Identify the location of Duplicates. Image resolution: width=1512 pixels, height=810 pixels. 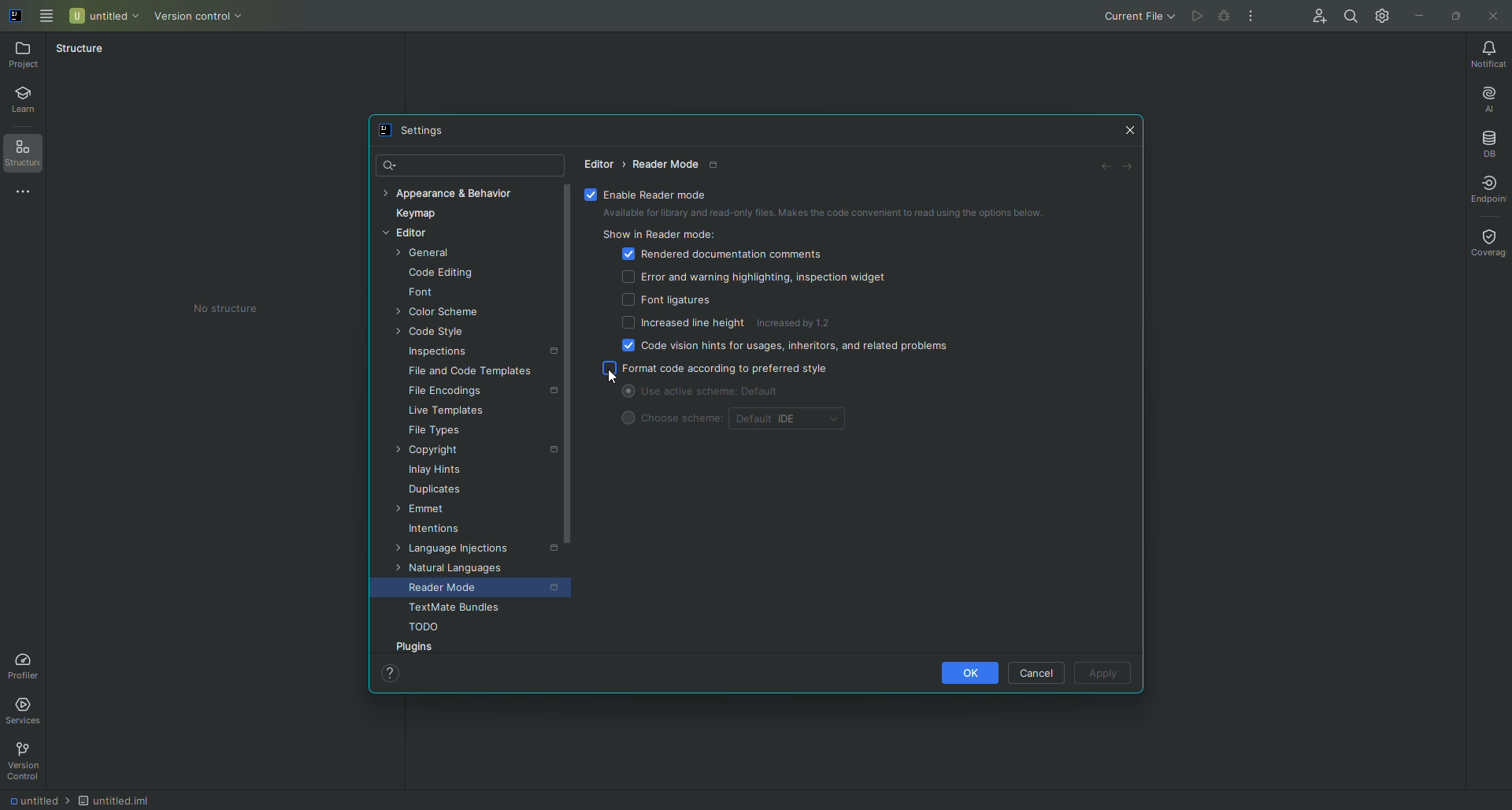
(430, 490).